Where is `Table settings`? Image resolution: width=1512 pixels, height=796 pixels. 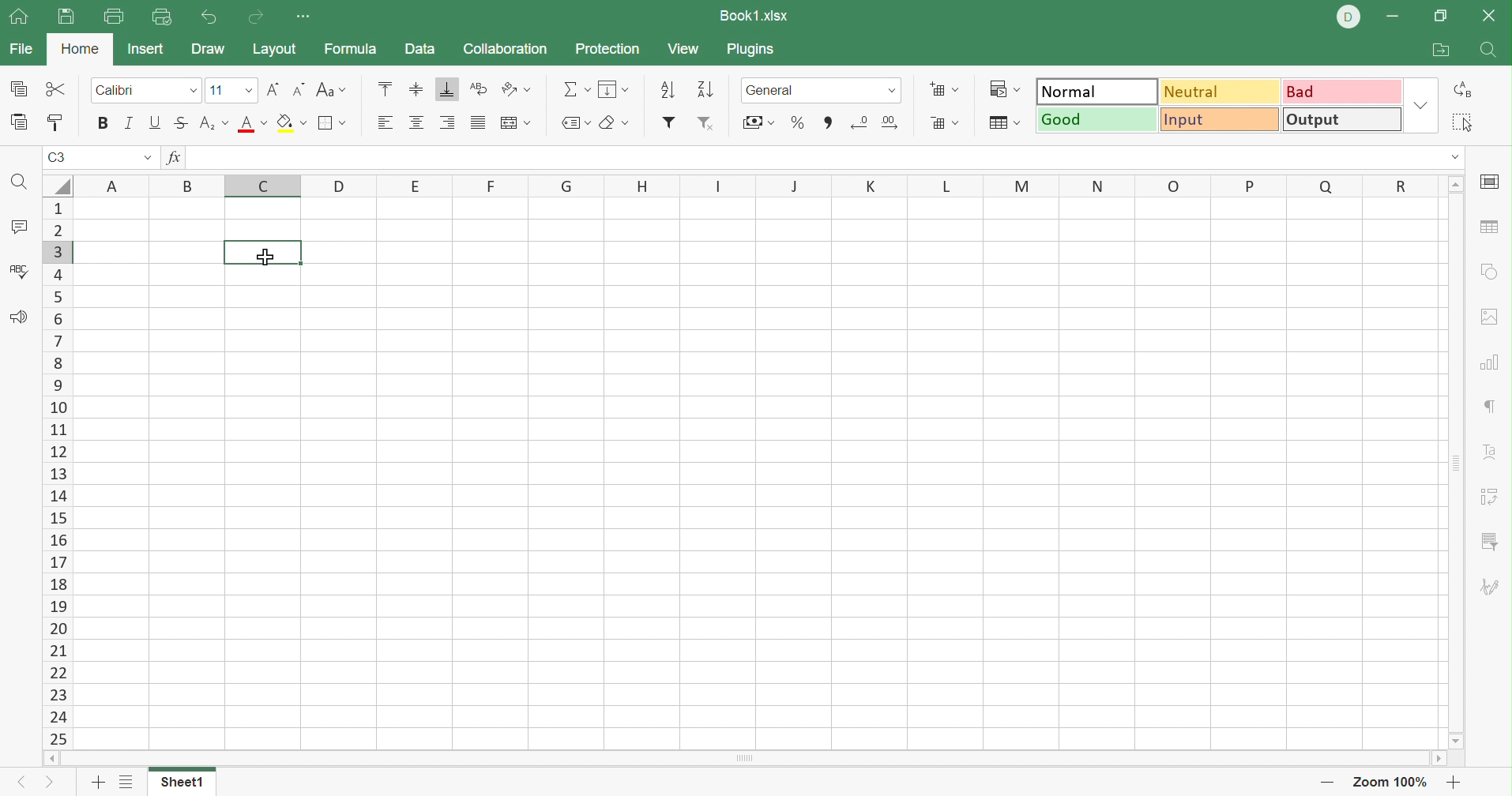 Table settings is located at coordinates (1491, 229).